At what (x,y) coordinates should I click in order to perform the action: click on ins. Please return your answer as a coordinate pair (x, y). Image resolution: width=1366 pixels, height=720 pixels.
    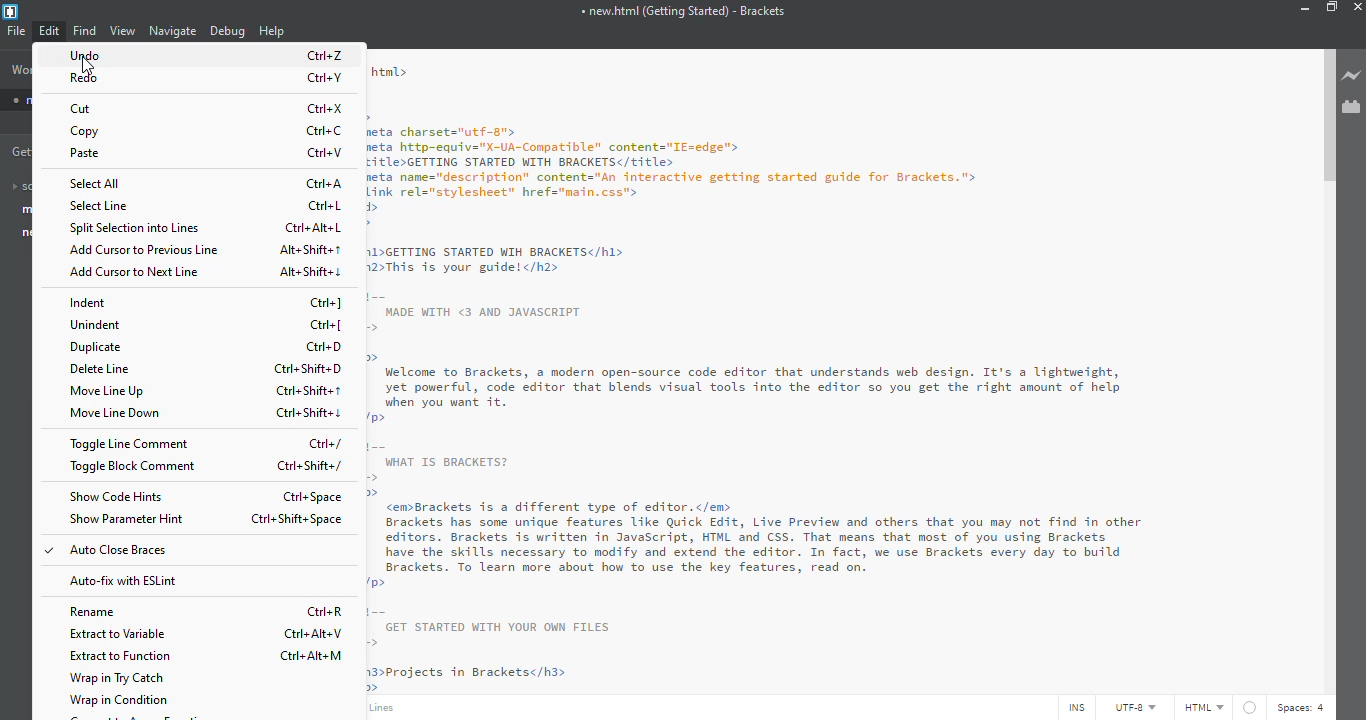
    Looking at the image, I should click on (1074, 708).